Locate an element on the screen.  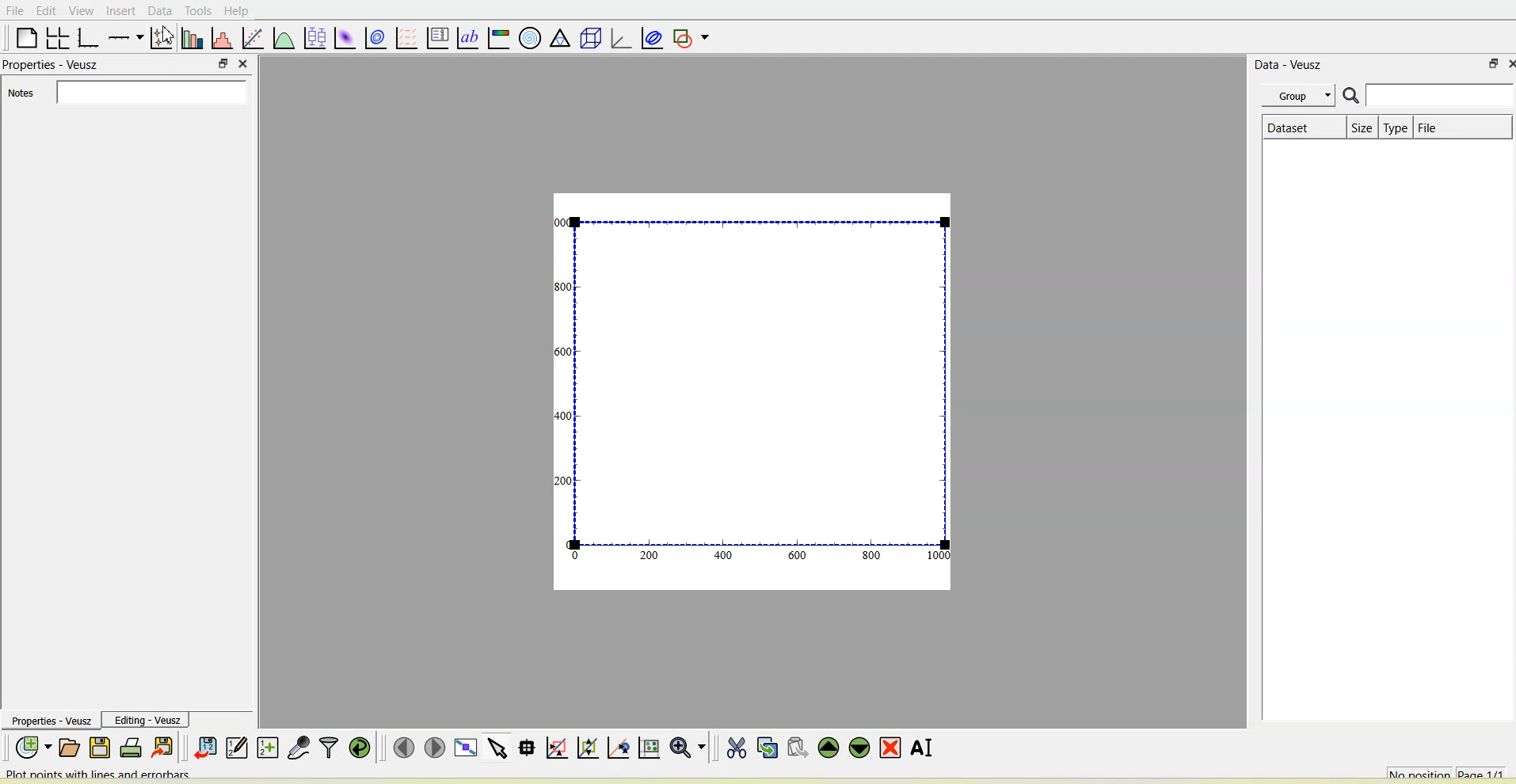
1000 is located at coordinates (563, 222).